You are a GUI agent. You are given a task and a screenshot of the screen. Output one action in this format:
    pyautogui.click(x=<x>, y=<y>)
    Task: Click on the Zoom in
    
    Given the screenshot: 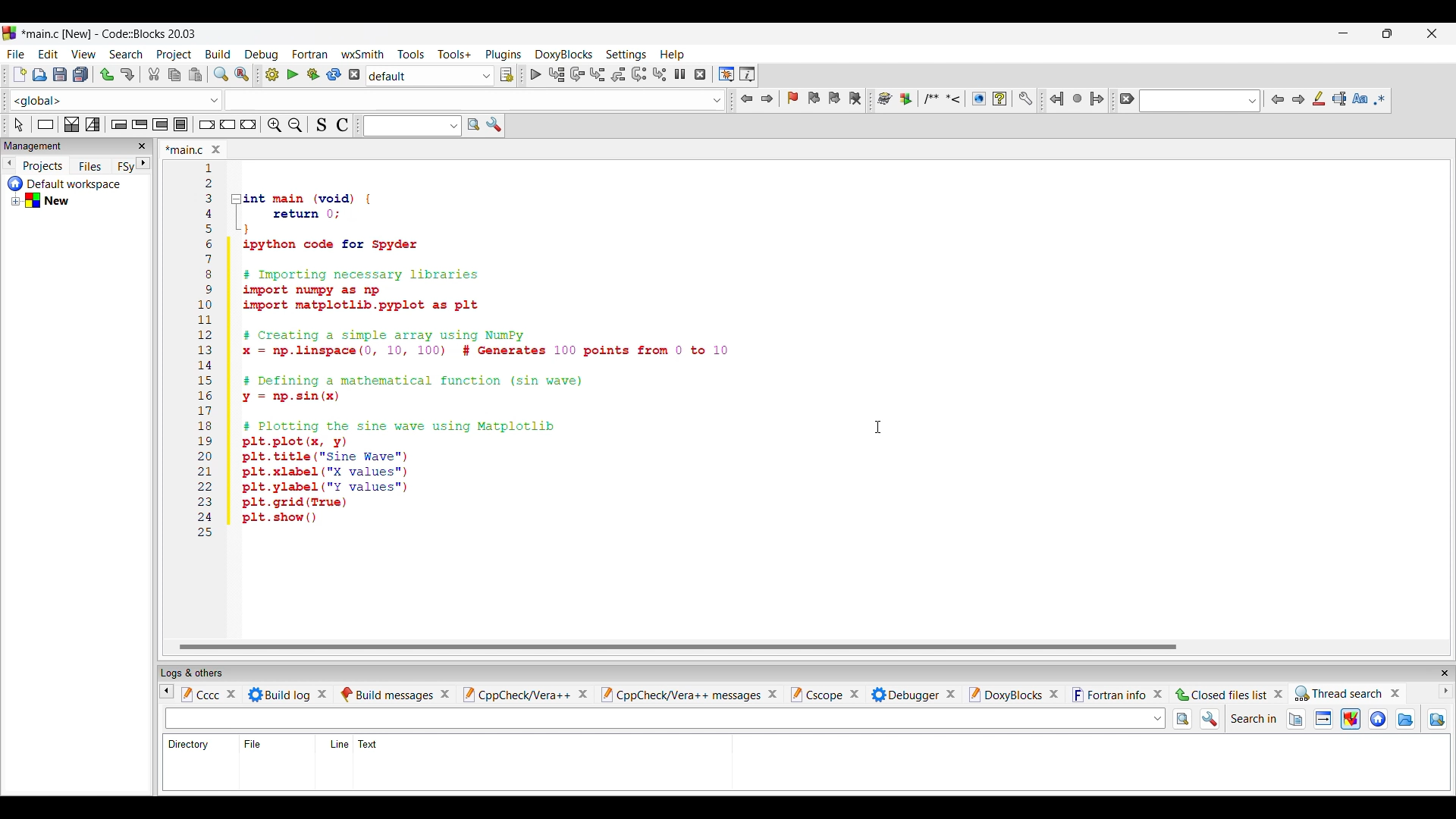 What is the action you would take?
    pyautogui.click(x=275, y=124)
    